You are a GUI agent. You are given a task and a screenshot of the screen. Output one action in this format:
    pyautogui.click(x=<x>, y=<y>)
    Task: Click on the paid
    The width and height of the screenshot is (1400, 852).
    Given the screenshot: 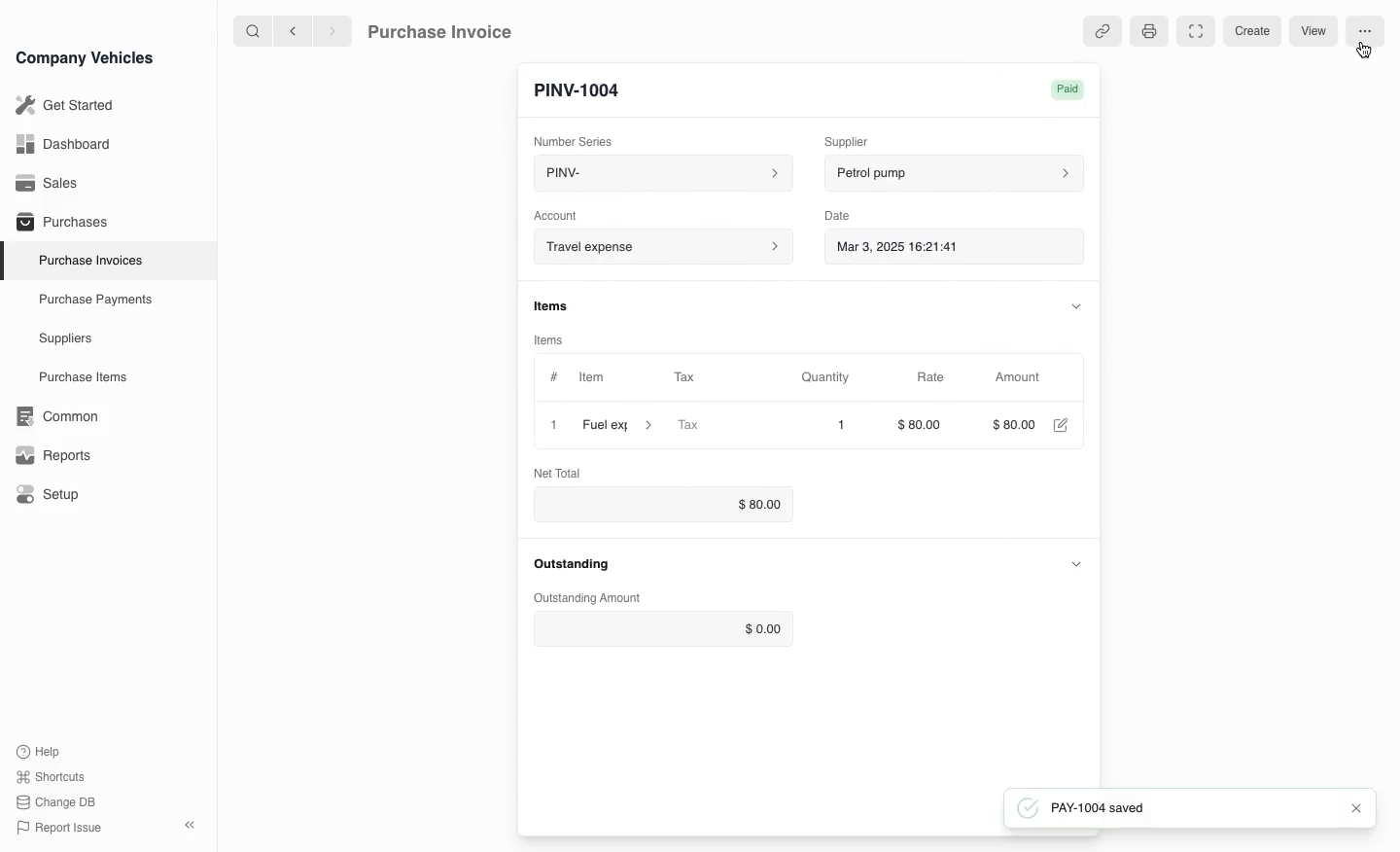 What is the action you would take?
    pyautogui.click(x=1062, y=89)
    